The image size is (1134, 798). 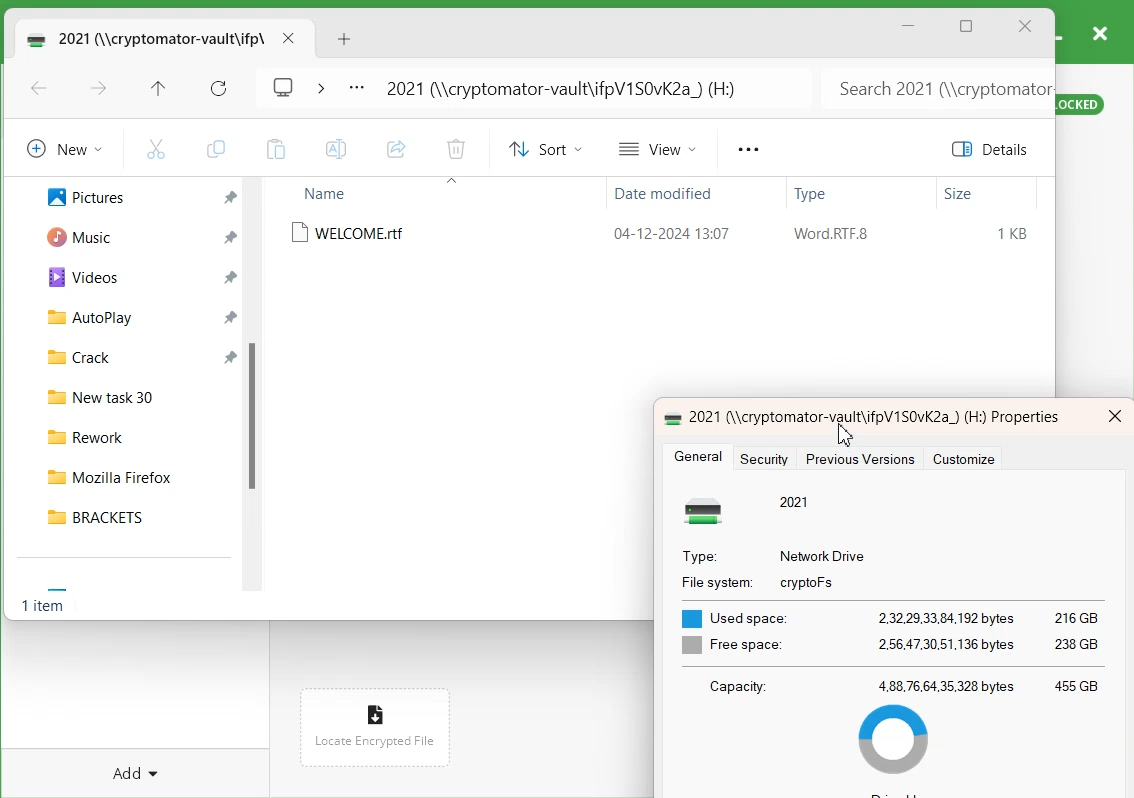 What do you see at coordinates (156, 148) in the screenshot?
I see `Cut` at bounding box center [156, 148].